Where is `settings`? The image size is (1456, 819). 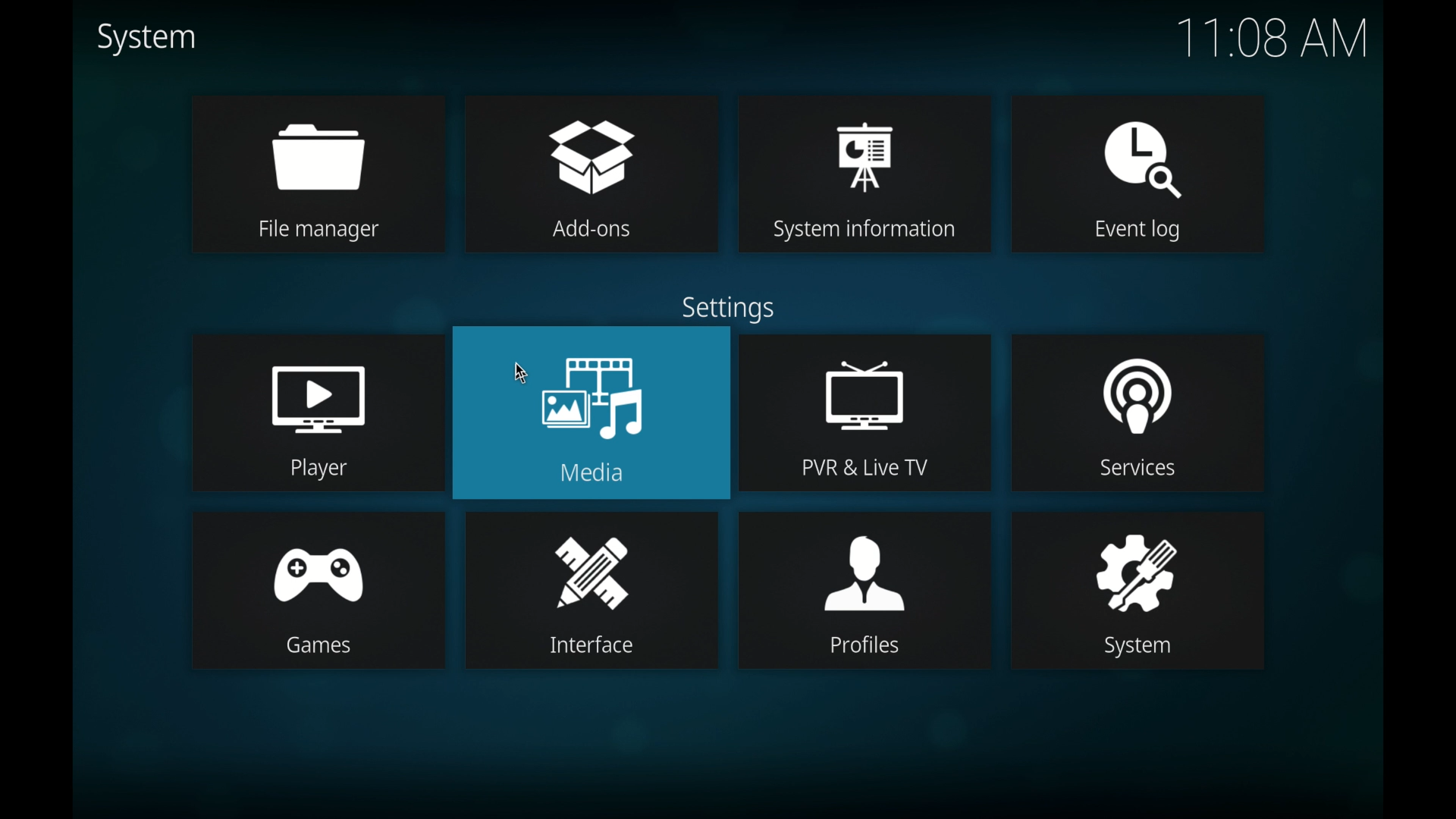 settings is located at coordinates (727, 309).